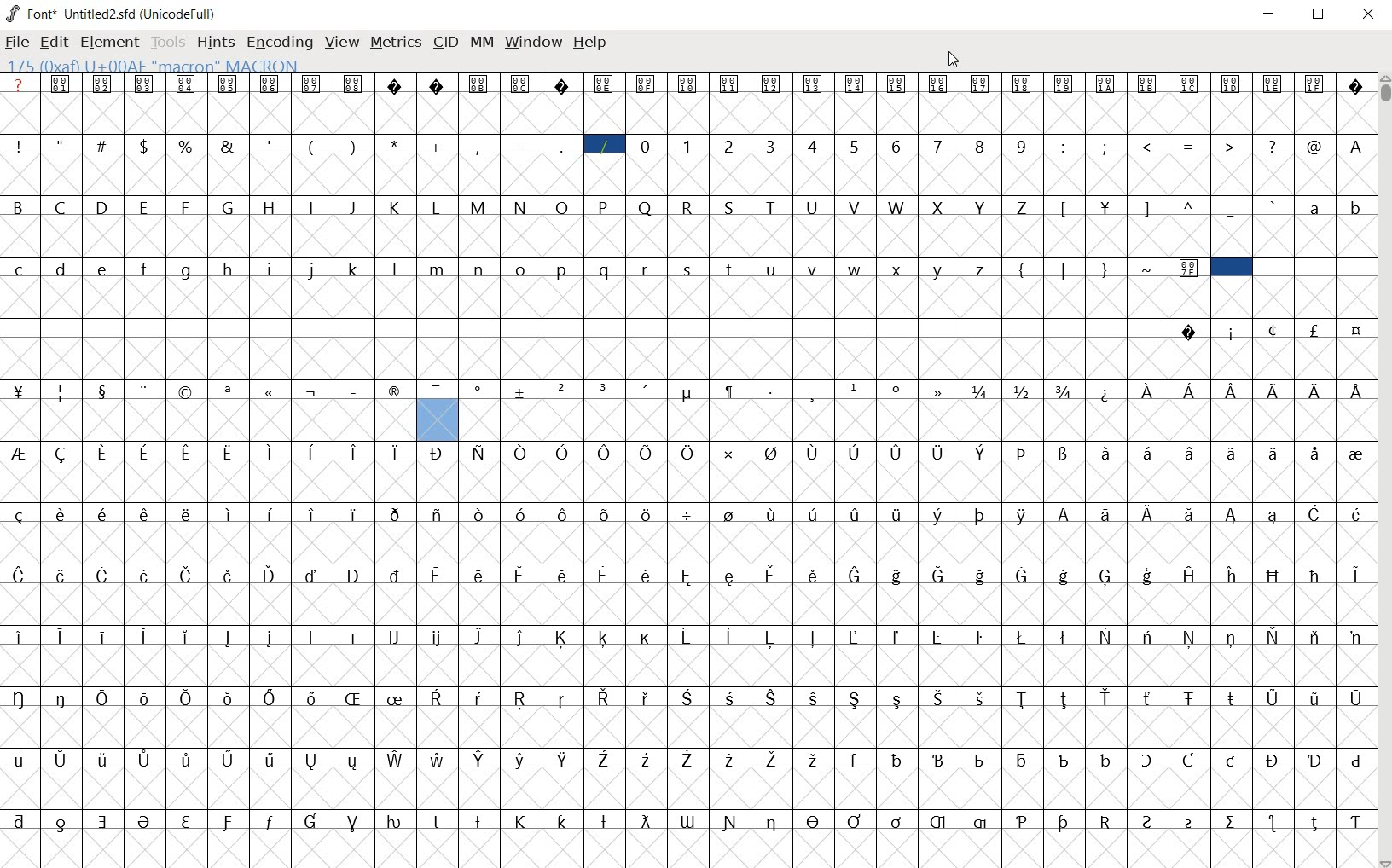 This screenshot has width=1392, height=868. Describe the element at coordinates (395, 85) in the screenshot. I see `Symbol` at that location.